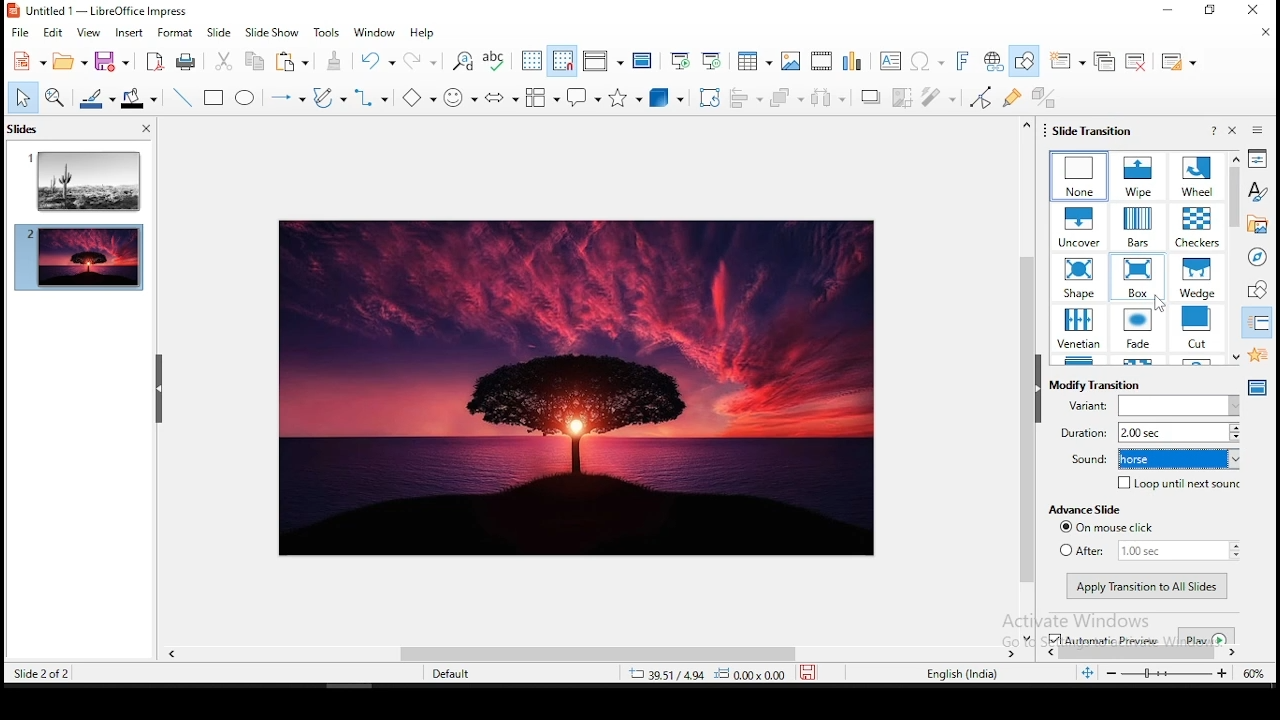  Describe the element at coordinates (155, 61) in the screenshot. I see `acrobat as pdf` at that location.